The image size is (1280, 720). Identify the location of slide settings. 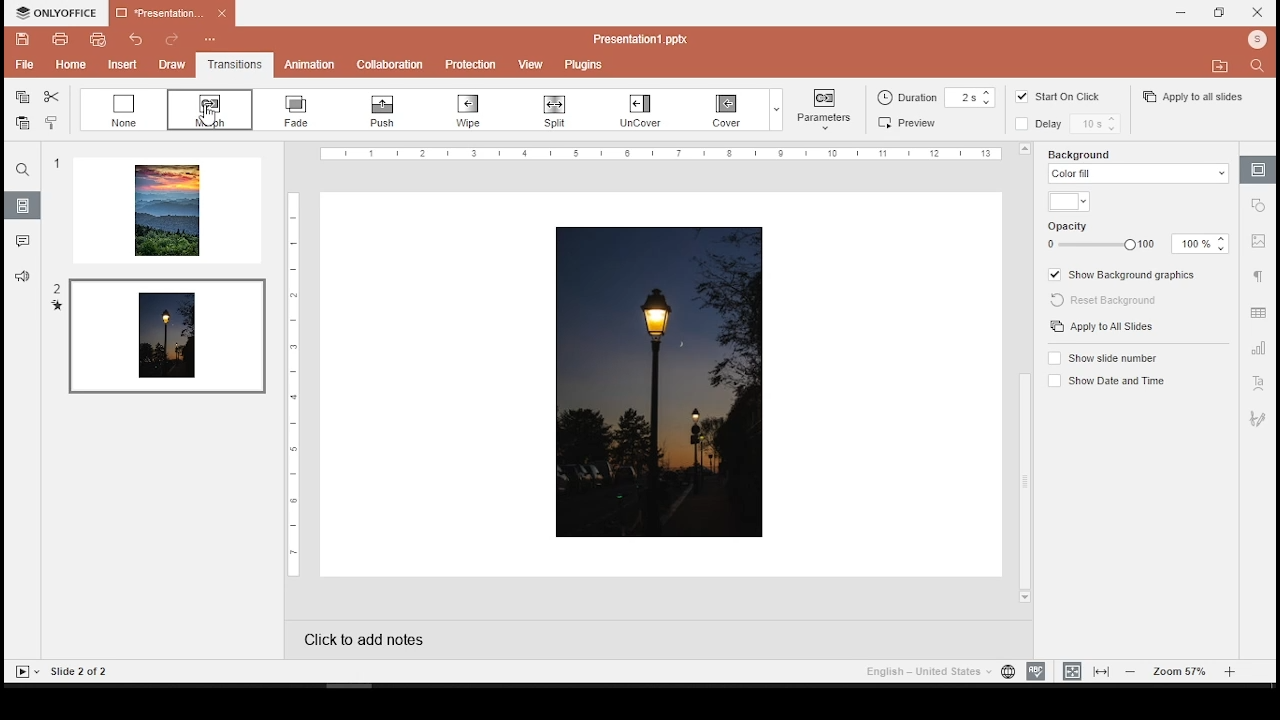
(1258, 170).